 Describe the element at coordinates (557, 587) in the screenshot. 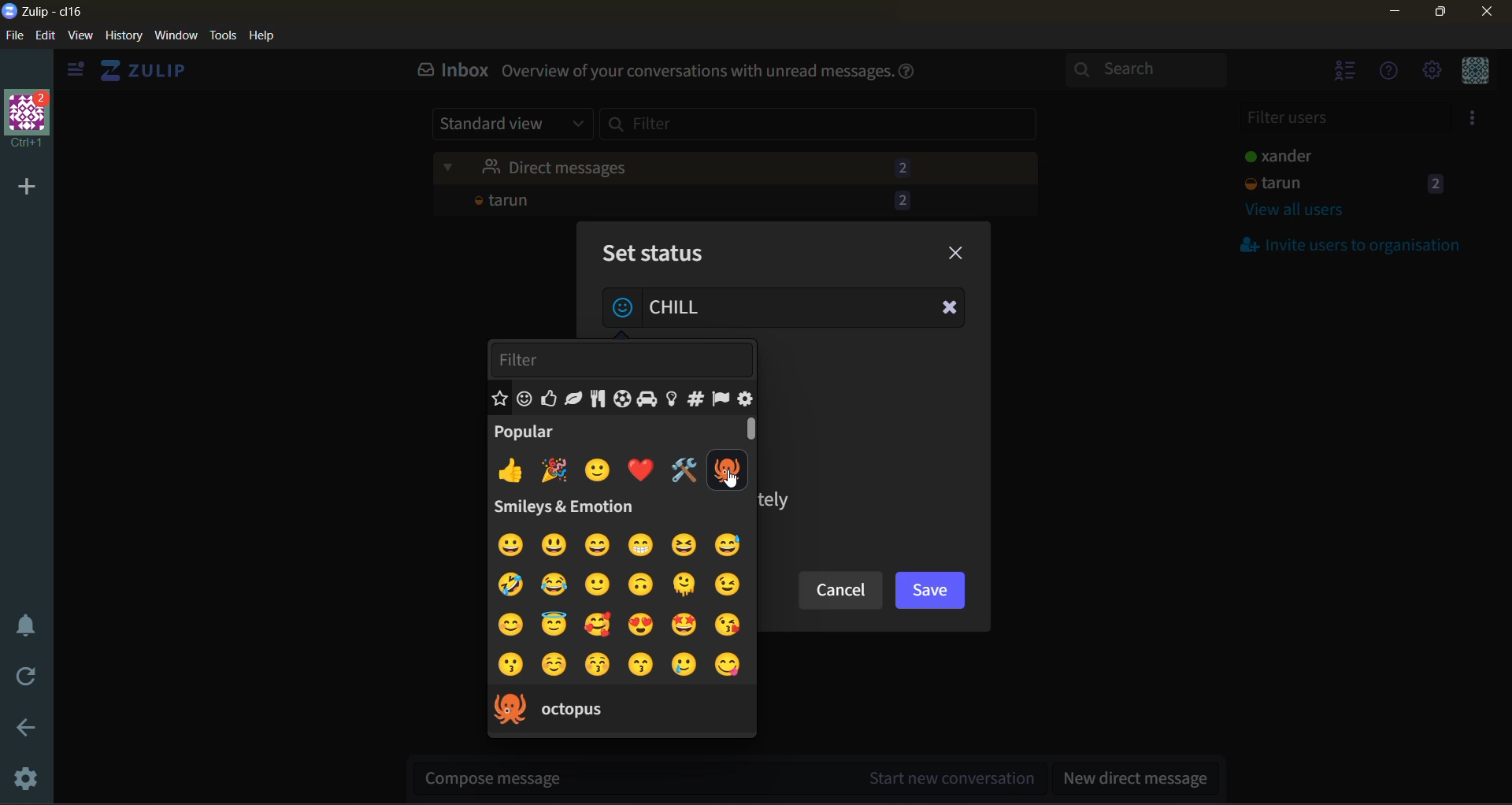

I see `emoji` at that location.